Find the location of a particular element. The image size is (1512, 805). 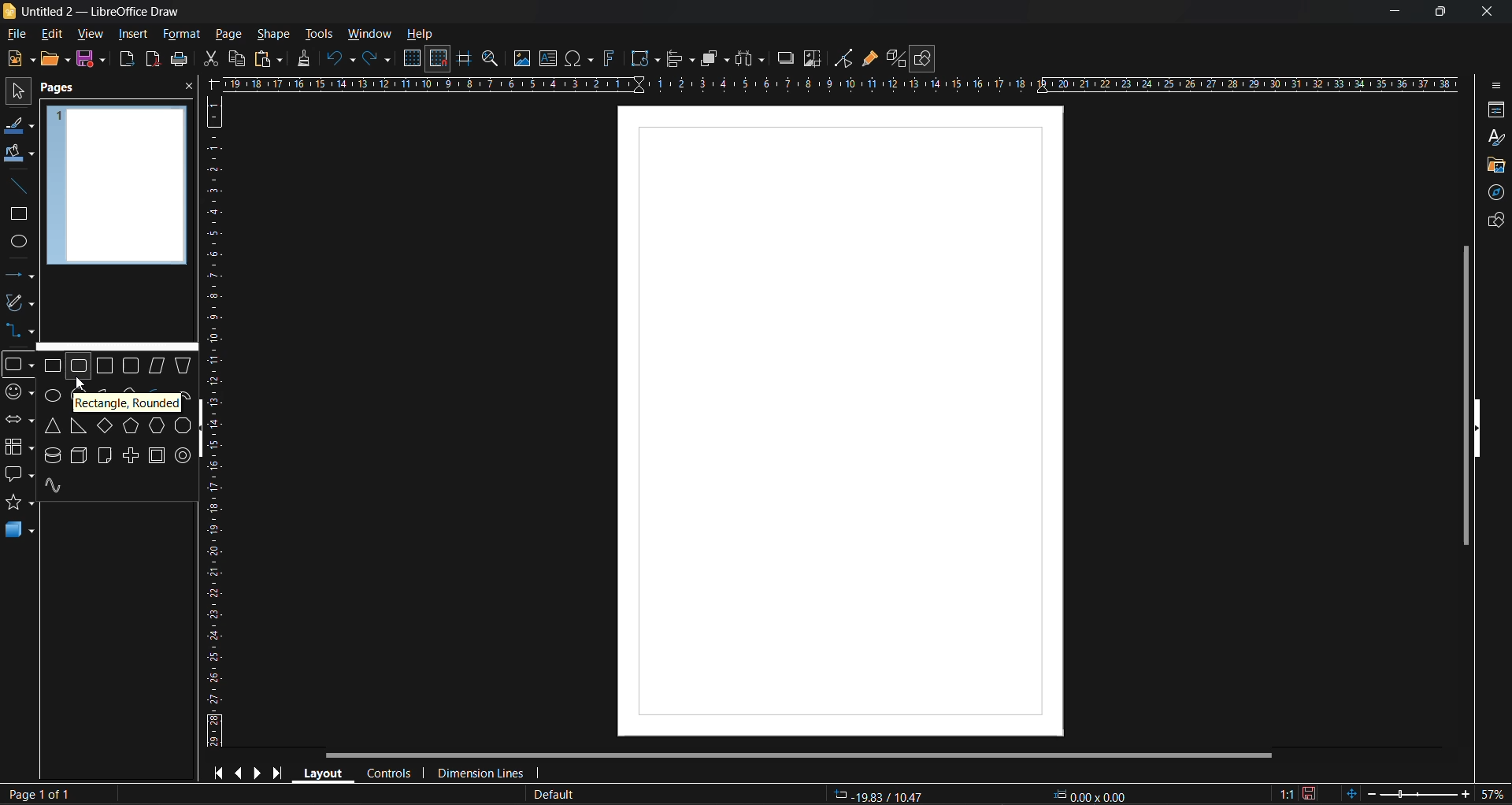

text box is located at coordinates (551, 58).